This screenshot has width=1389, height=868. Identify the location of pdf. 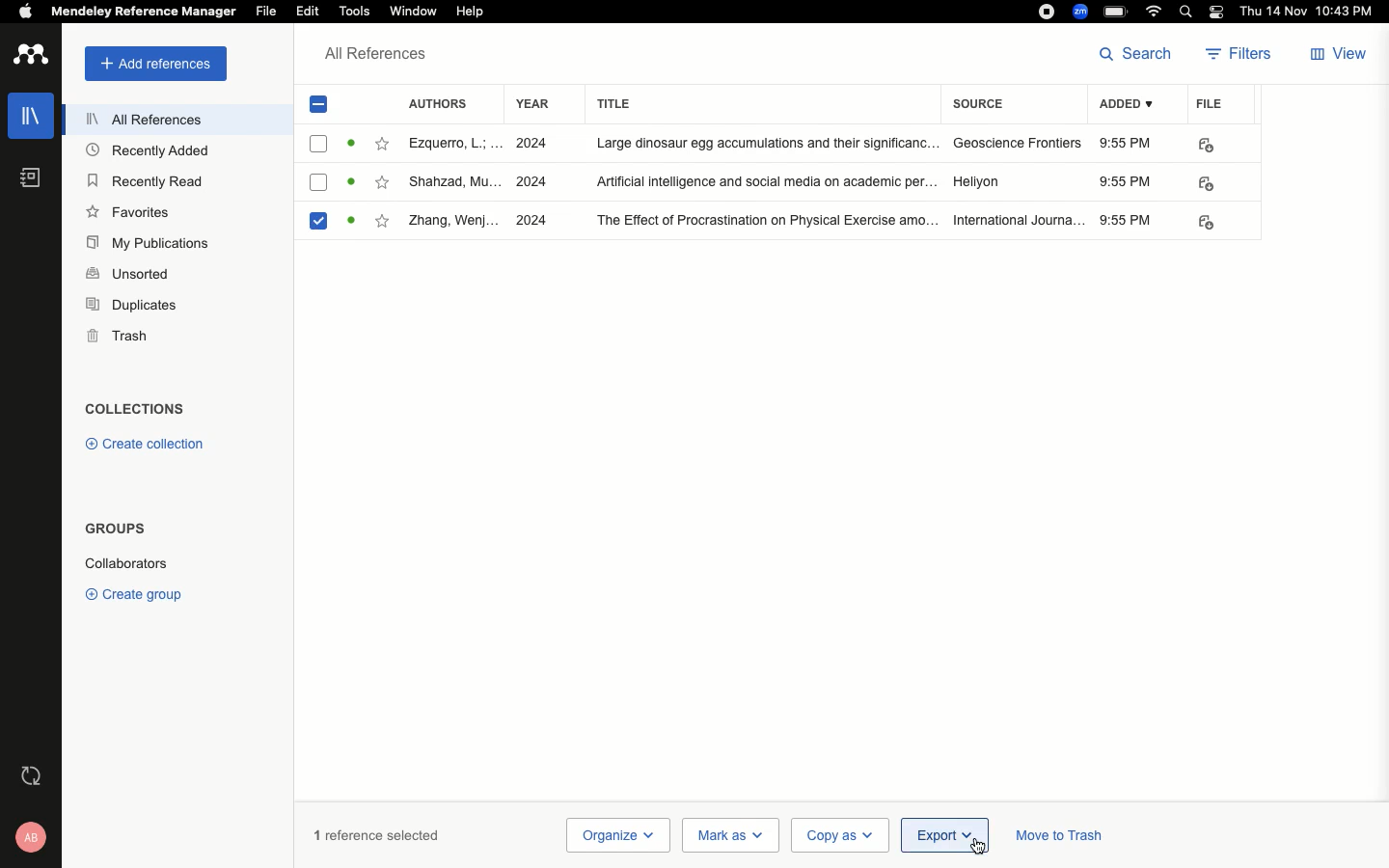
(1209, 184).